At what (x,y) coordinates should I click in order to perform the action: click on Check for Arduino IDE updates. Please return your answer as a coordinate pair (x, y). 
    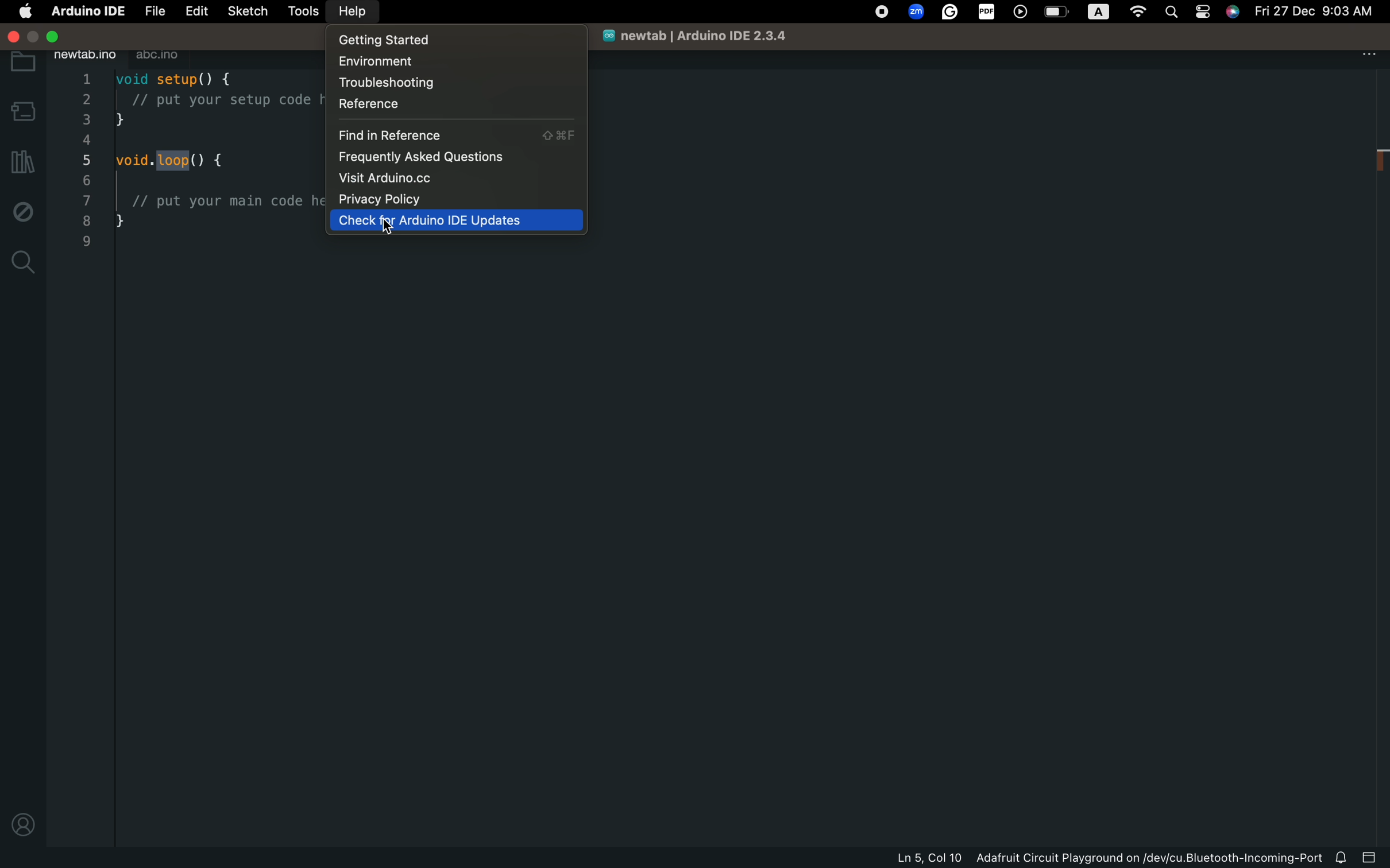
    Looking at the image, I should click on (457, 220).